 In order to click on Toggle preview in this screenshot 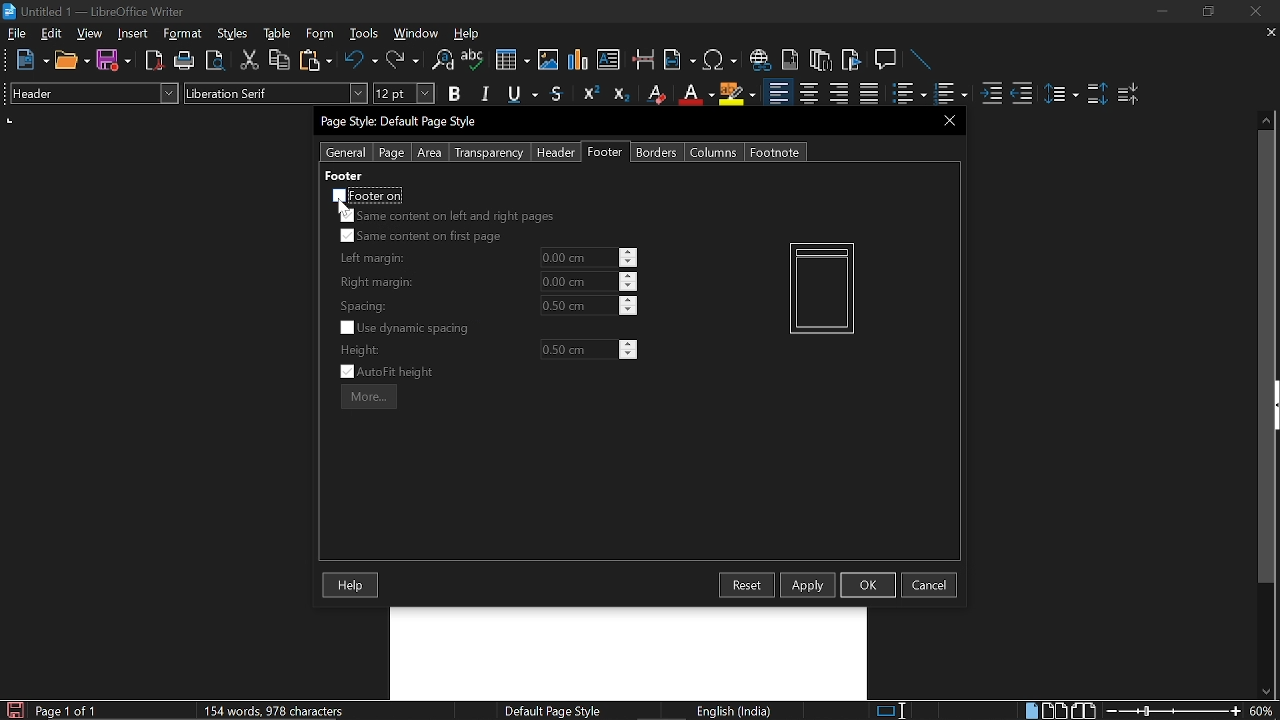, I will do `click(214, 61)`.